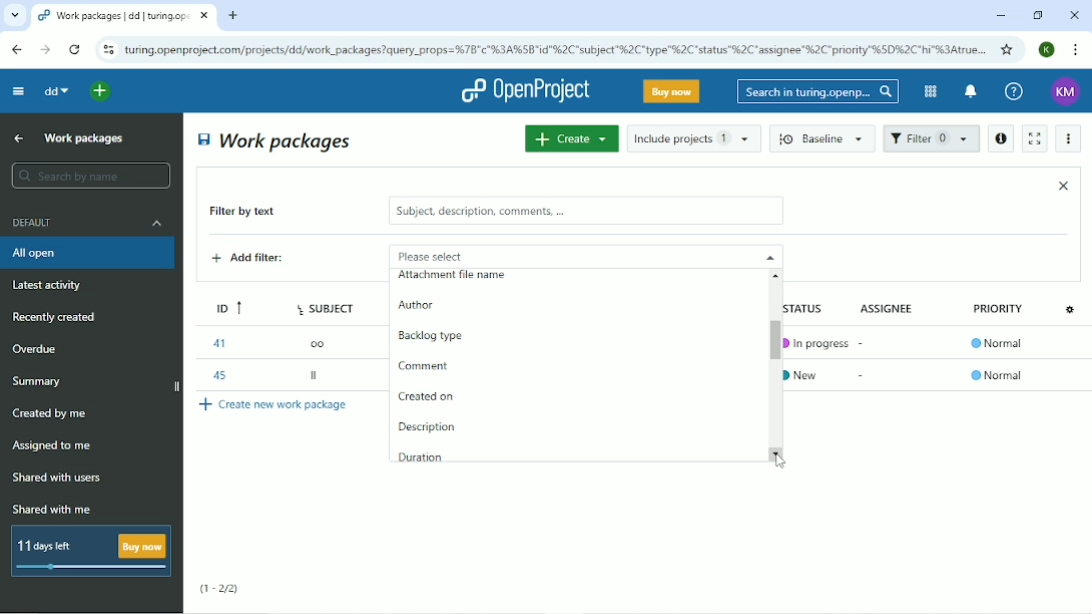 The image size is (1092, 614). I want to click on Latest activity, so click(53, 287).